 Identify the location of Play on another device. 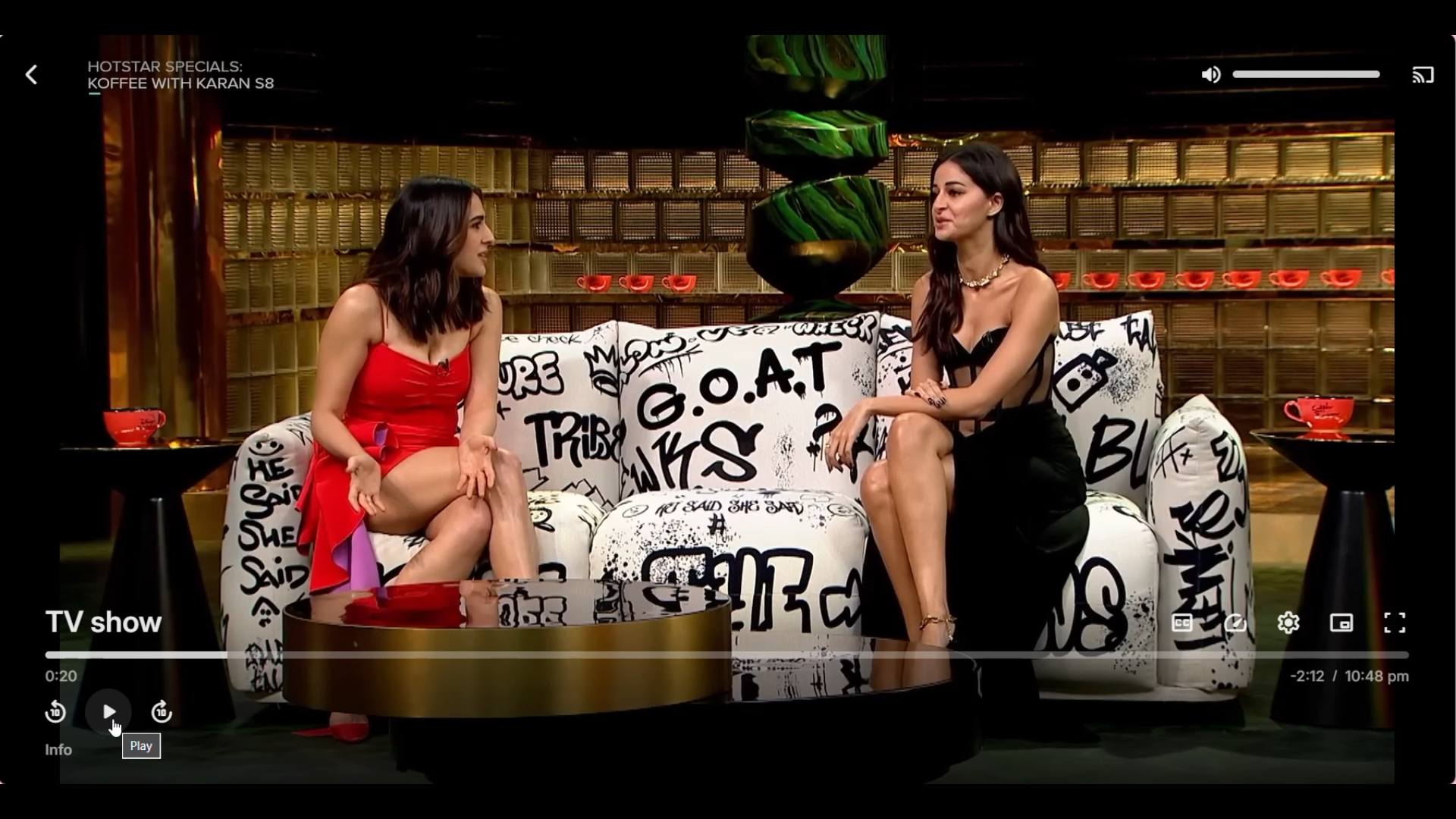
(1423, 76).